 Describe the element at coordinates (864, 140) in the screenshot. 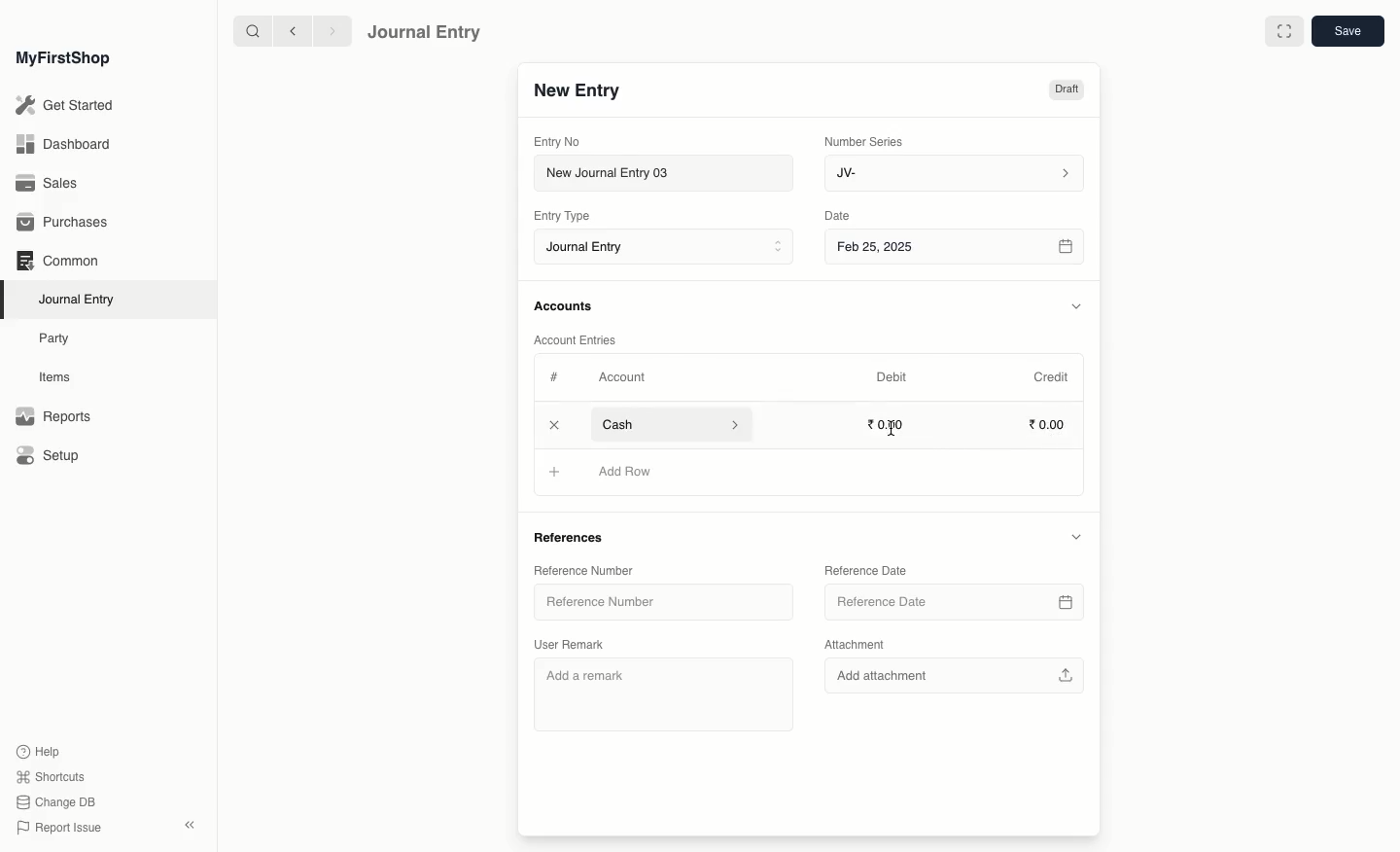

I see `‘Number Series` at that location.